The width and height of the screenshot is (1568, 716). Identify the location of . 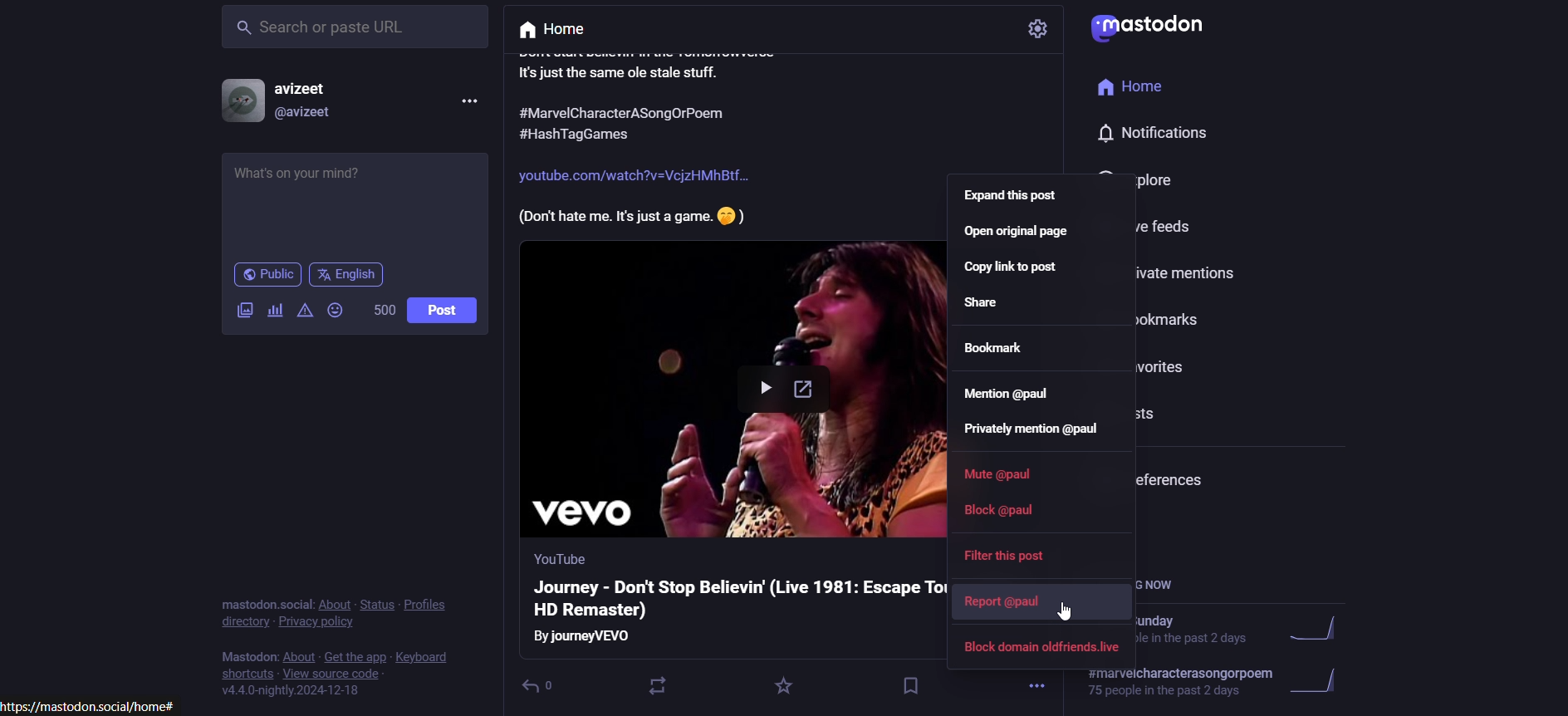
(603, 134).